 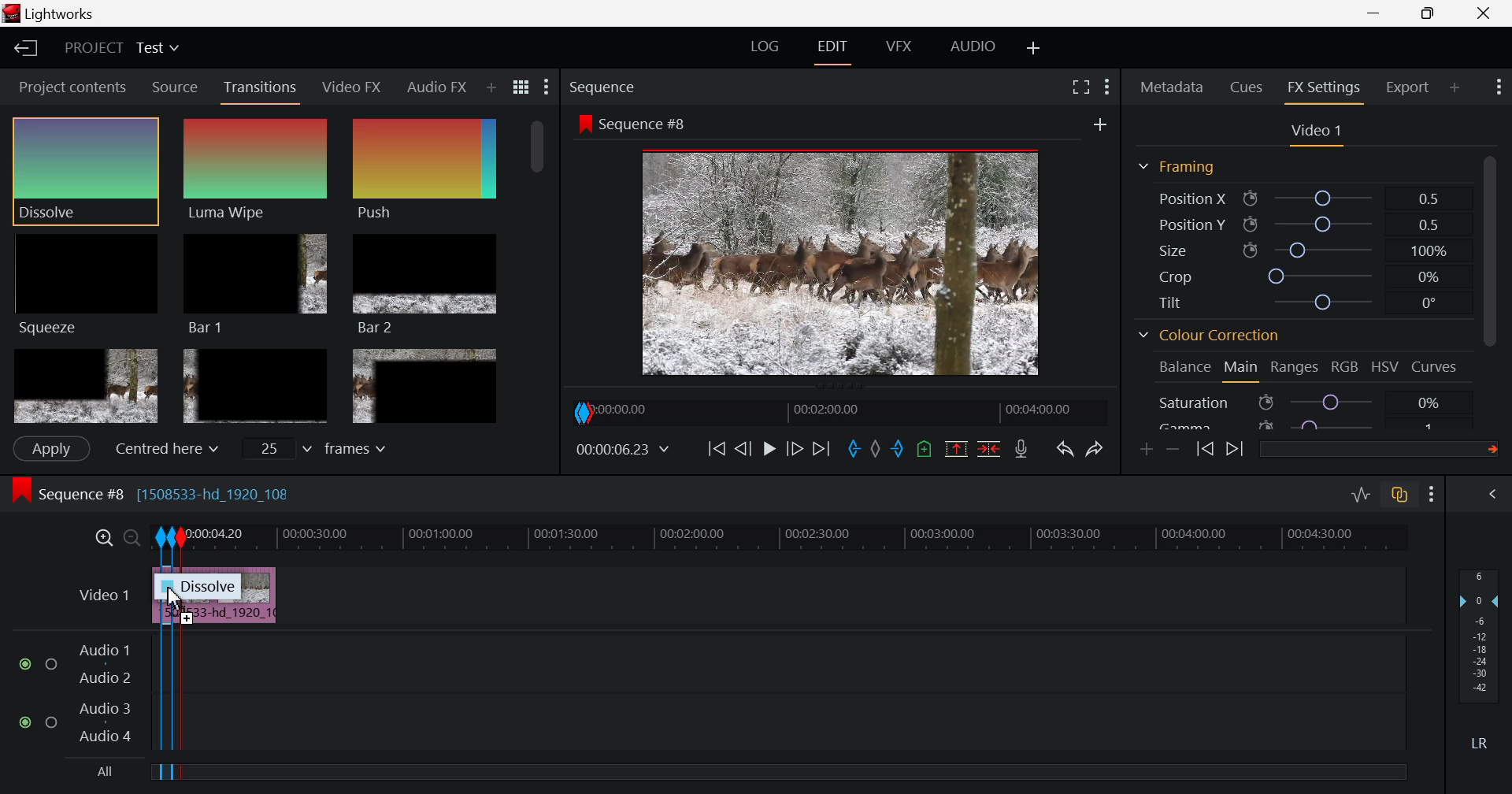 I want to click on Metadata Tab, so click(x=1172, y=87).